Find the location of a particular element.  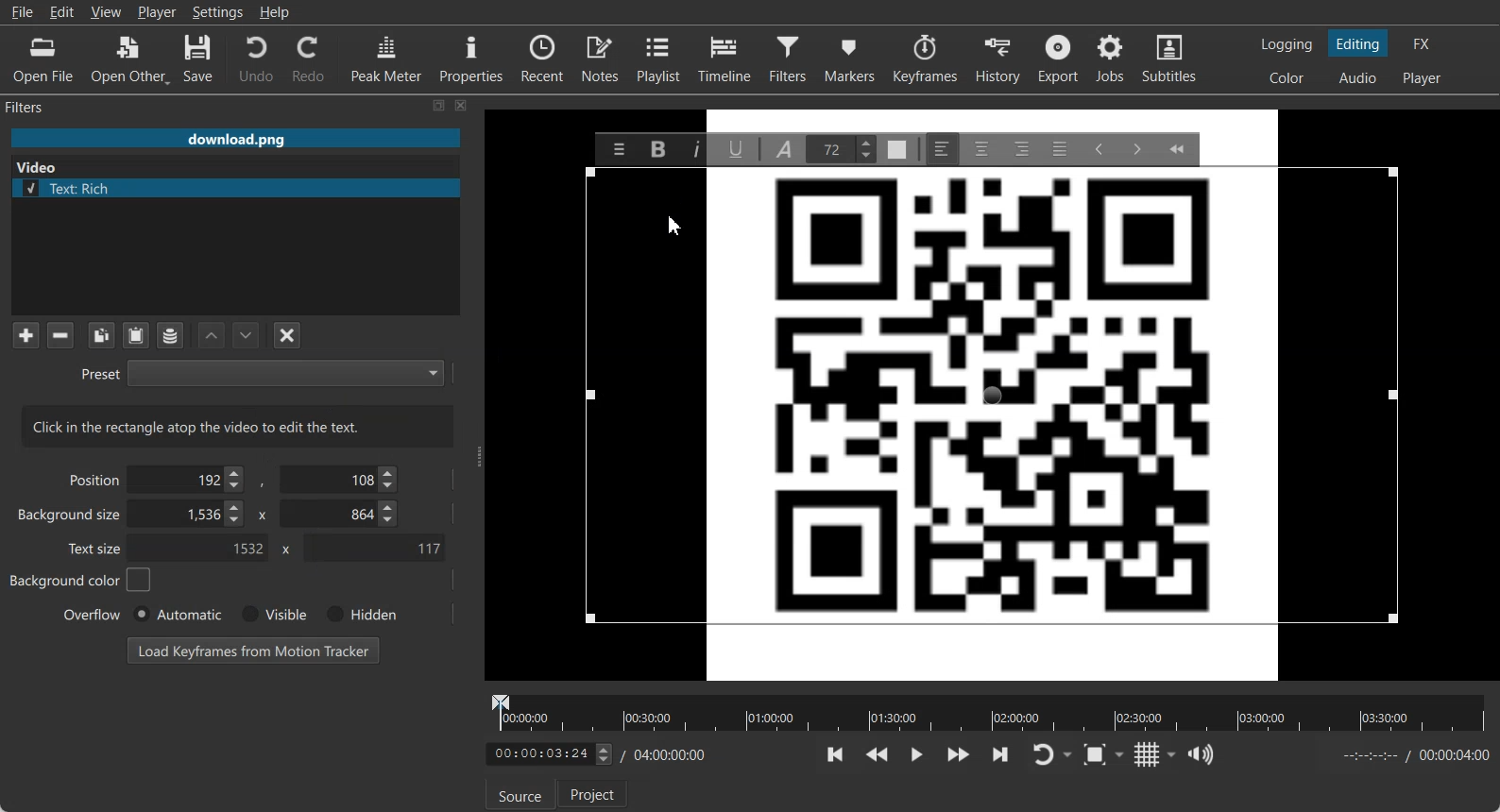

Timeline is located at coordinates (725, 58).